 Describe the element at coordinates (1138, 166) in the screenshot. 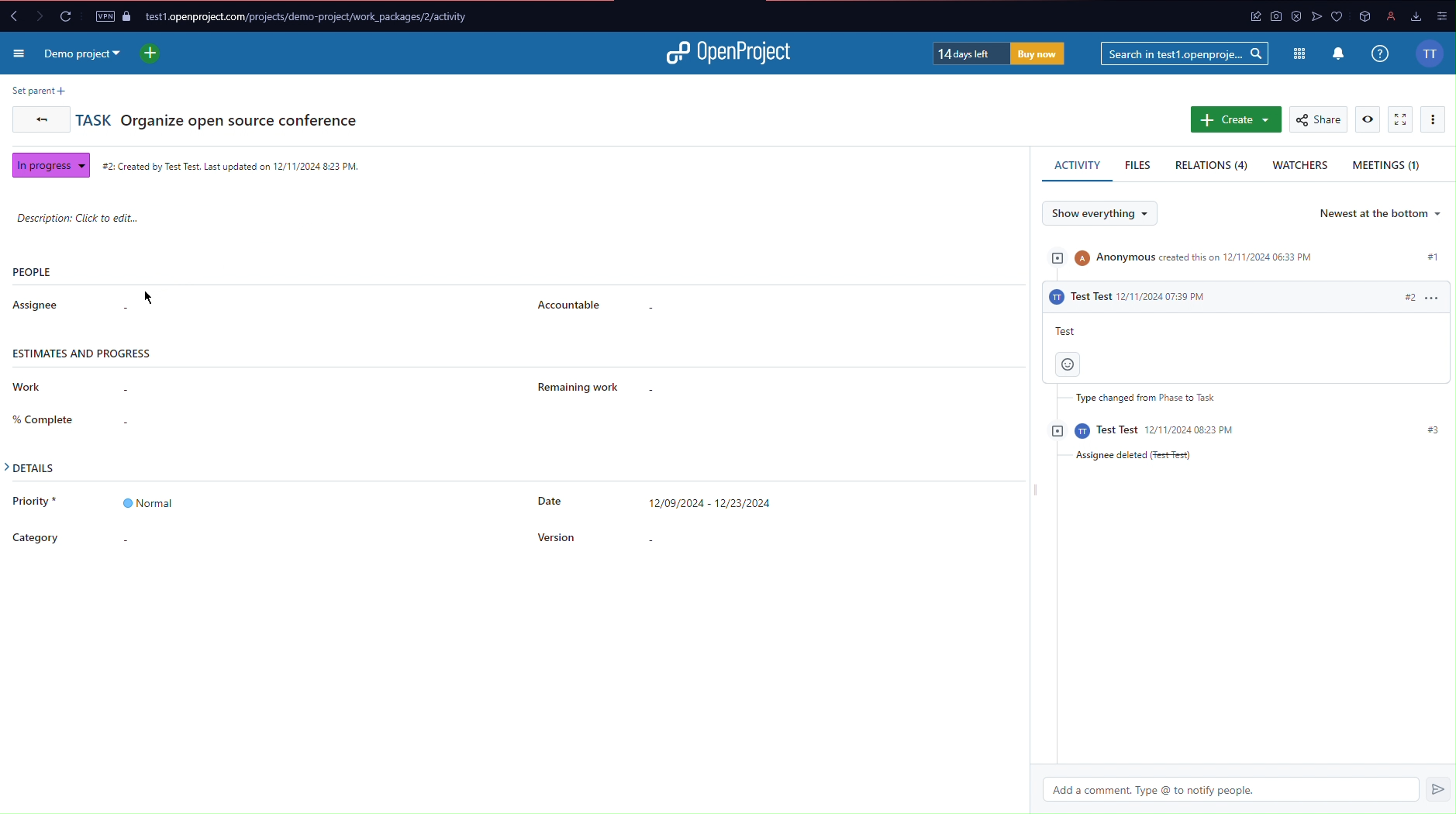

I see `Files` at that location.